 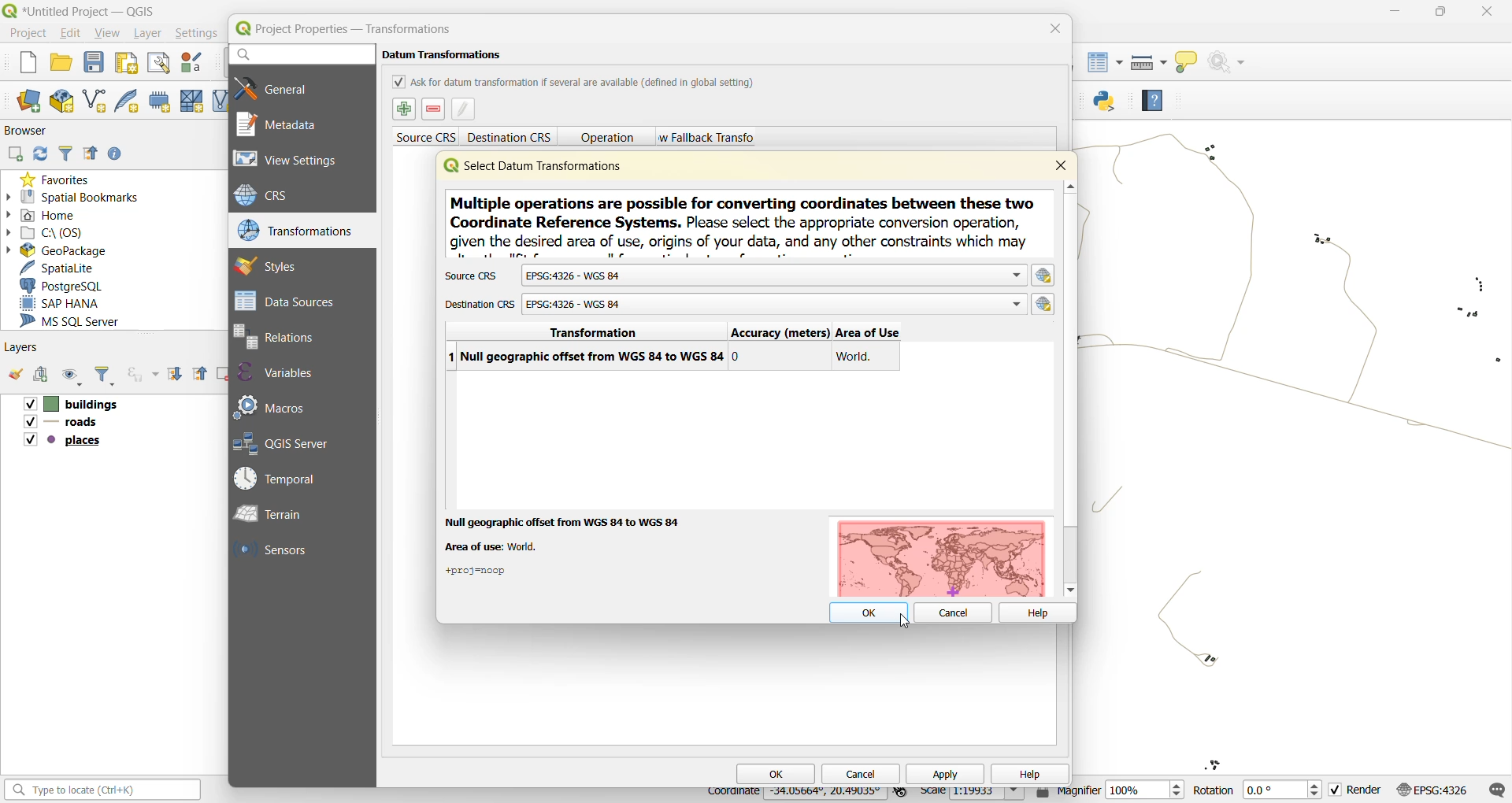 What do you see at coordinates (569, 520) in the screenshot?
I see `null geographic offset` at bounding box center [569, 520].